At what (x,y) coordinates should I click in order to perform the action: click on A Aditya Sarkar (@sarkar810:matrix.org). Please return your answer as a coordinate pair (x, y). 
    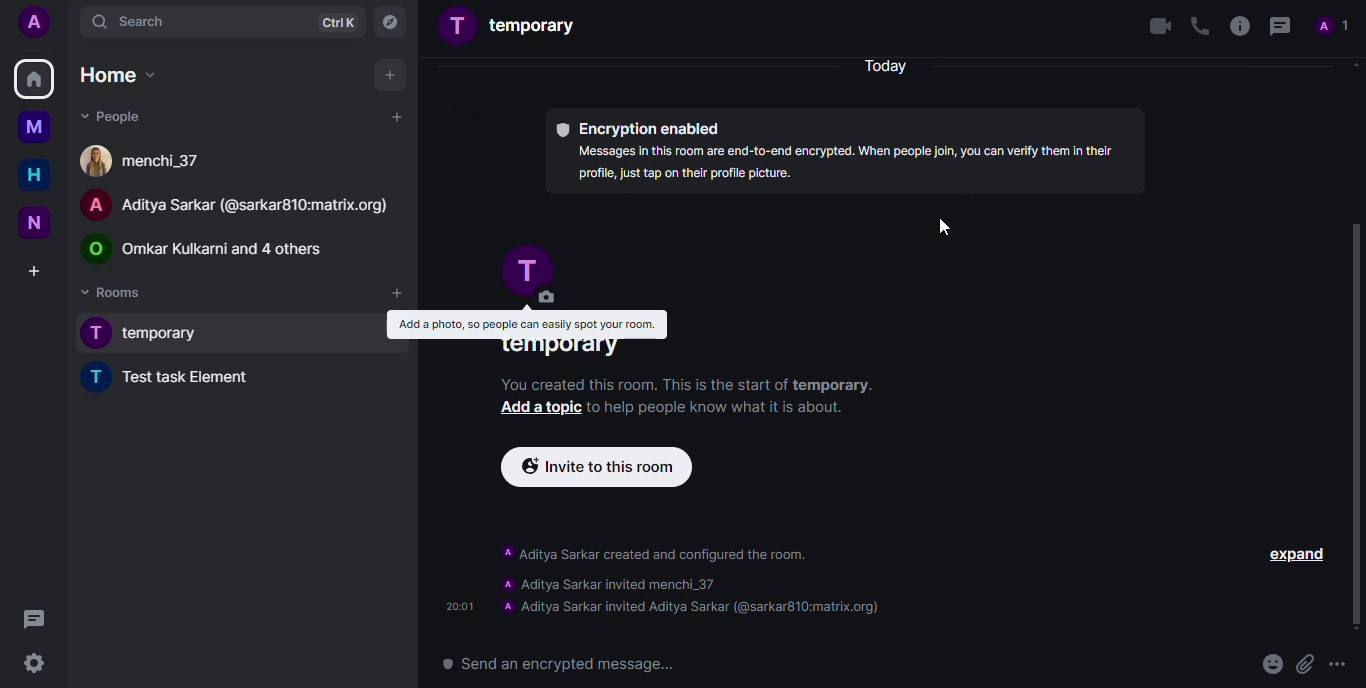
    Looking at the image, I should click on (232, 208).